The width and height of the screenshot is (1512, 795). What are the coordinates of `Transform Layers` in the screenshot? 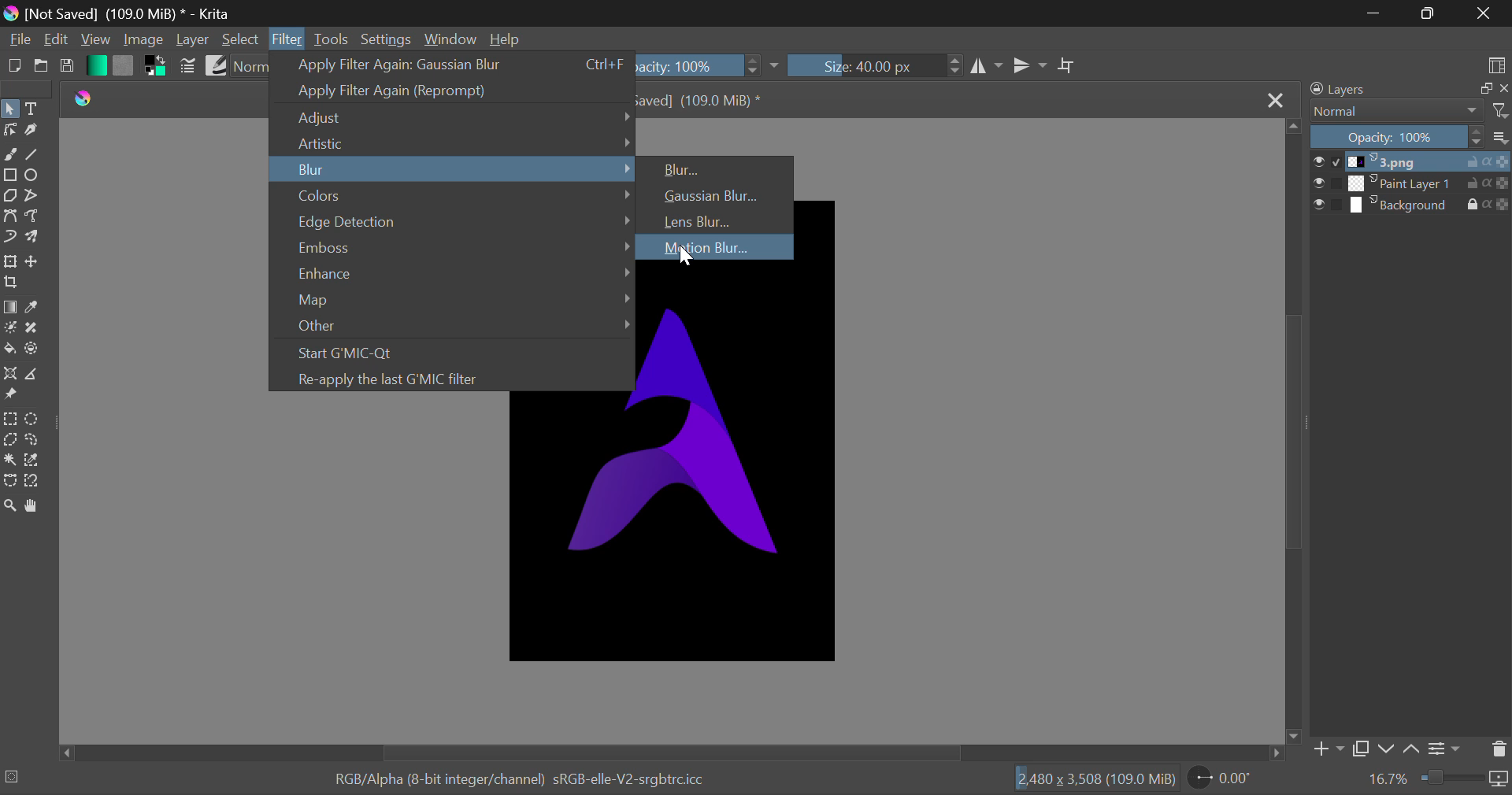 It's located at (10, 262).